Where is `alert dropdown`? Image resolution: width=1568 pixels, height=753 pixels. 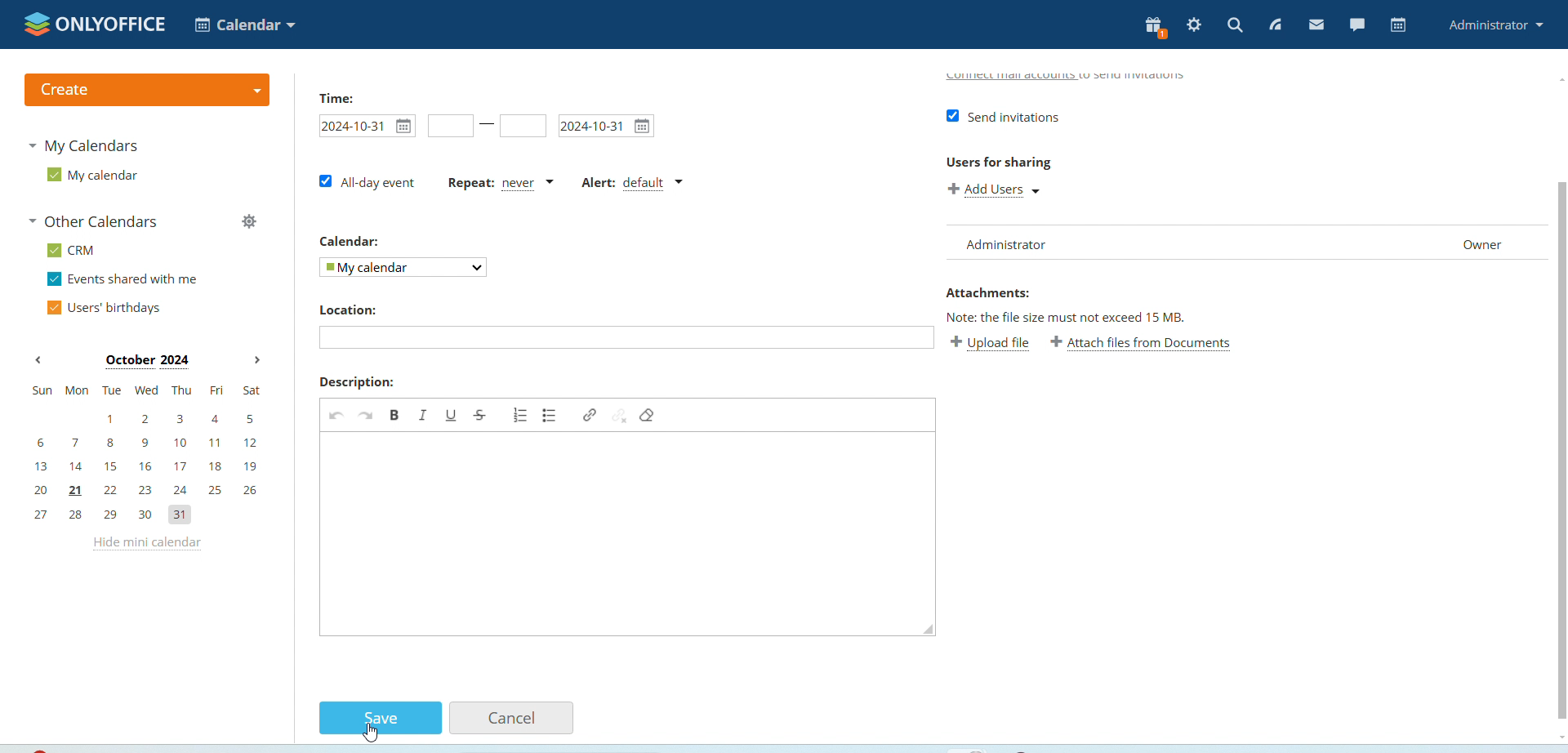 alert dropdown is located at coordinates (632, 183).